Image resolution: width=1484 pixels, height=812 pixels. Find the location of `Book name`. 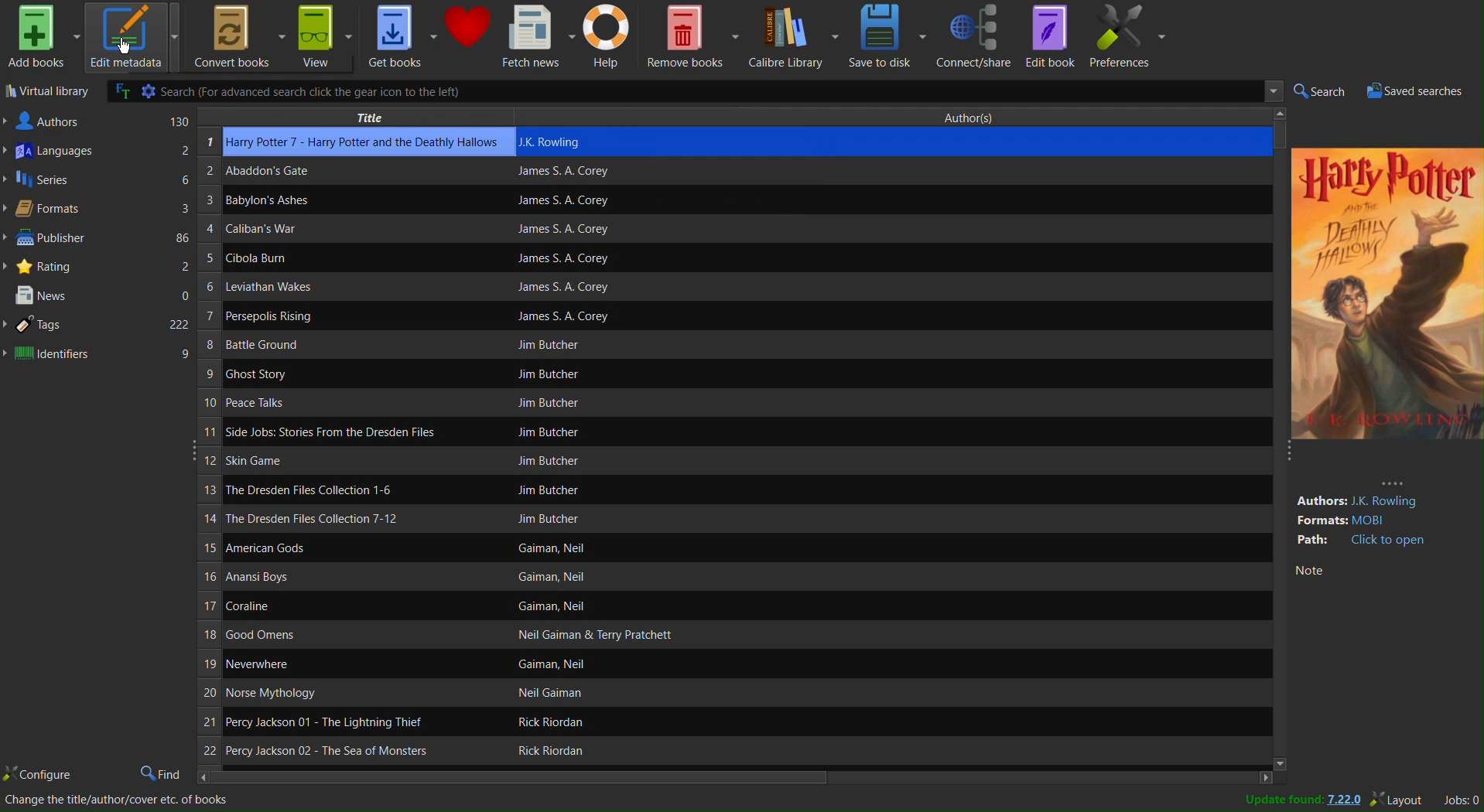

Book name is located at coordinates (340, 401).